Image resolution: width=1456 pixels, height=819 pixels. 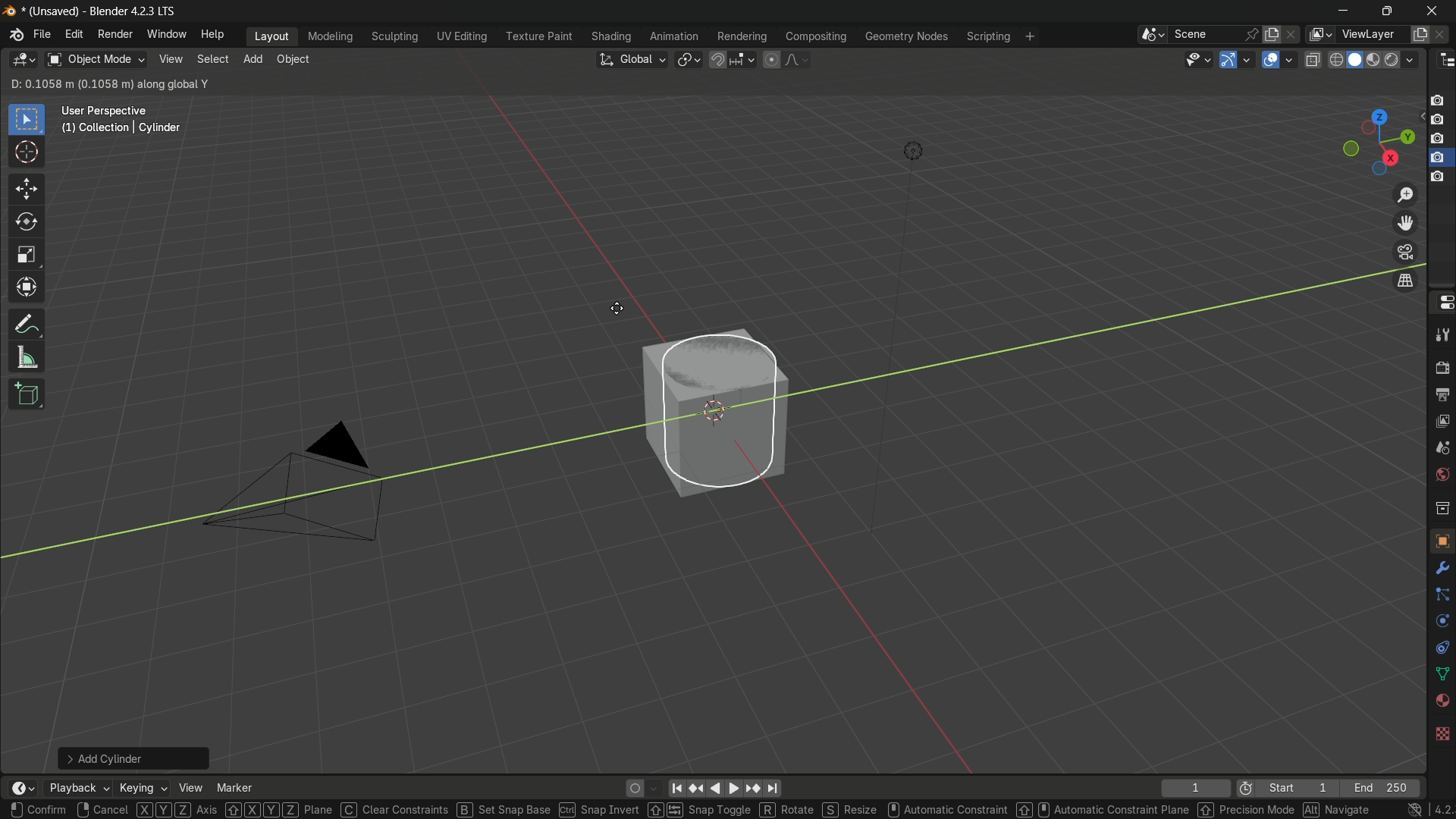 What do you see at coordinates (1441, 476) in the screenshot?
I see `world` at bounding box center [1441, 476].